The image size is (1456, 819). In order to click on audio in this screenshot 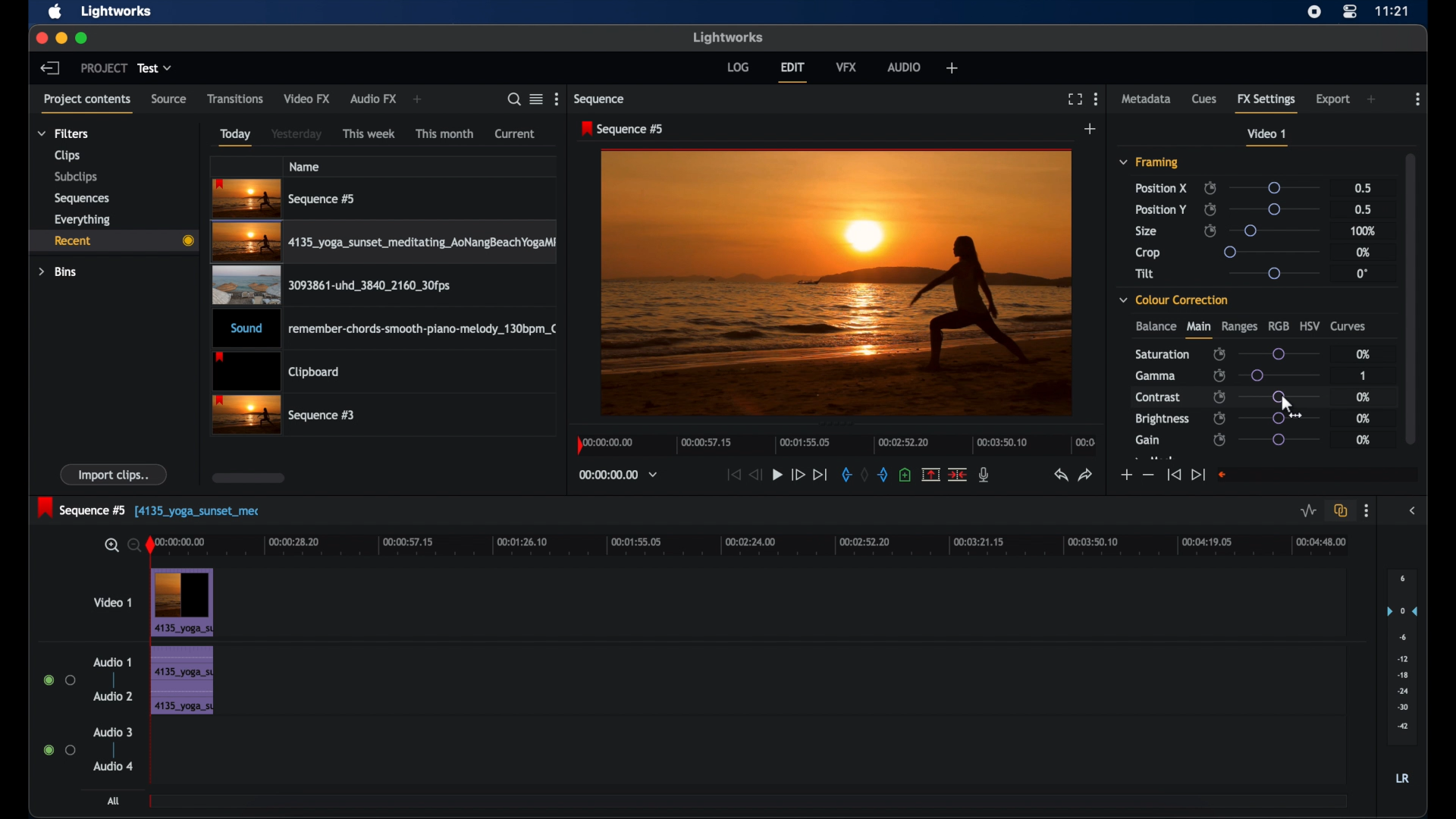, I will do `click(905, 67)`.